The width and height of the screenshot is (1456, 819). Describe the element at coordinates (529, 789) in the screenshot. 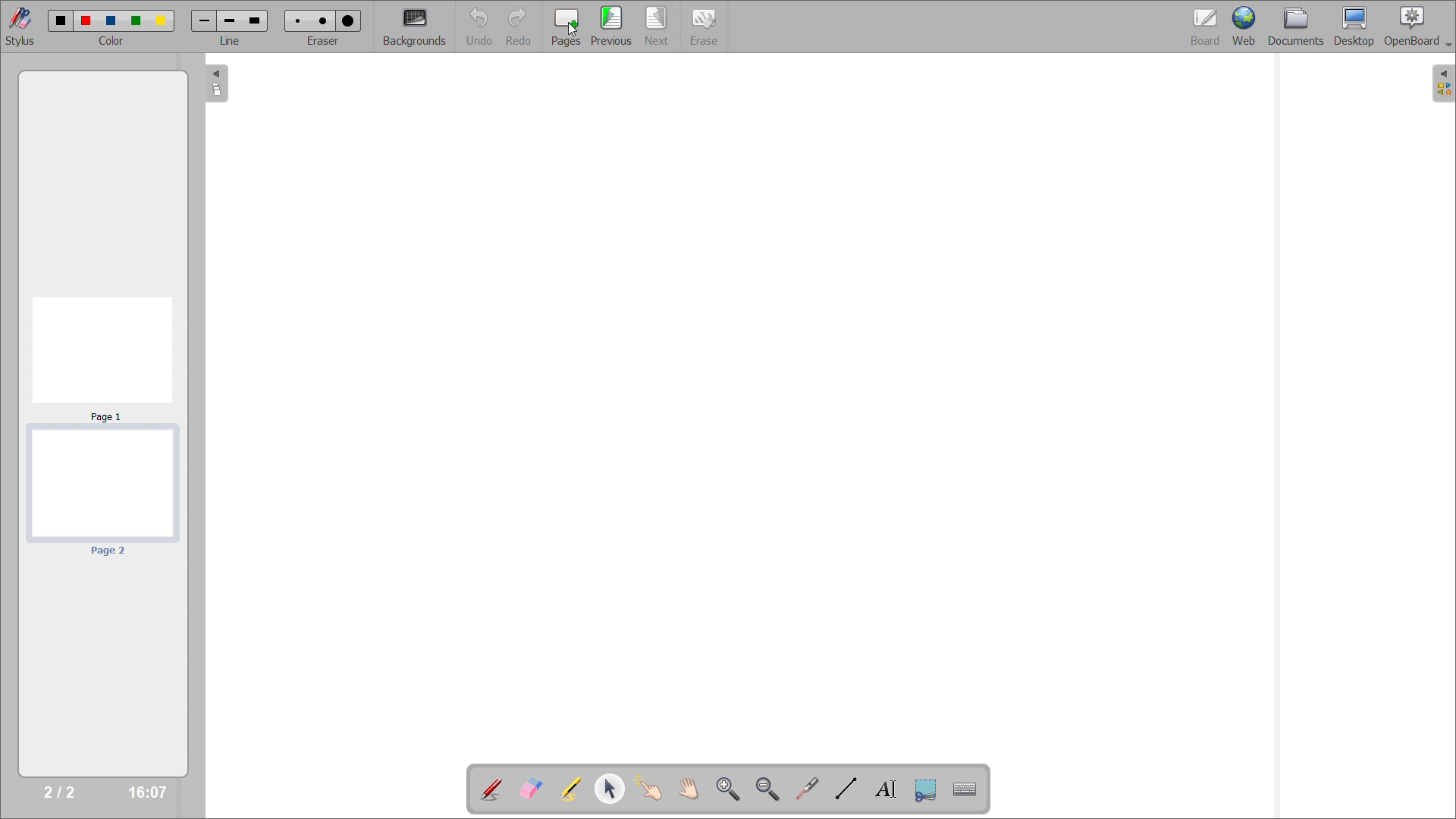

I see `erase annotations` at that location.